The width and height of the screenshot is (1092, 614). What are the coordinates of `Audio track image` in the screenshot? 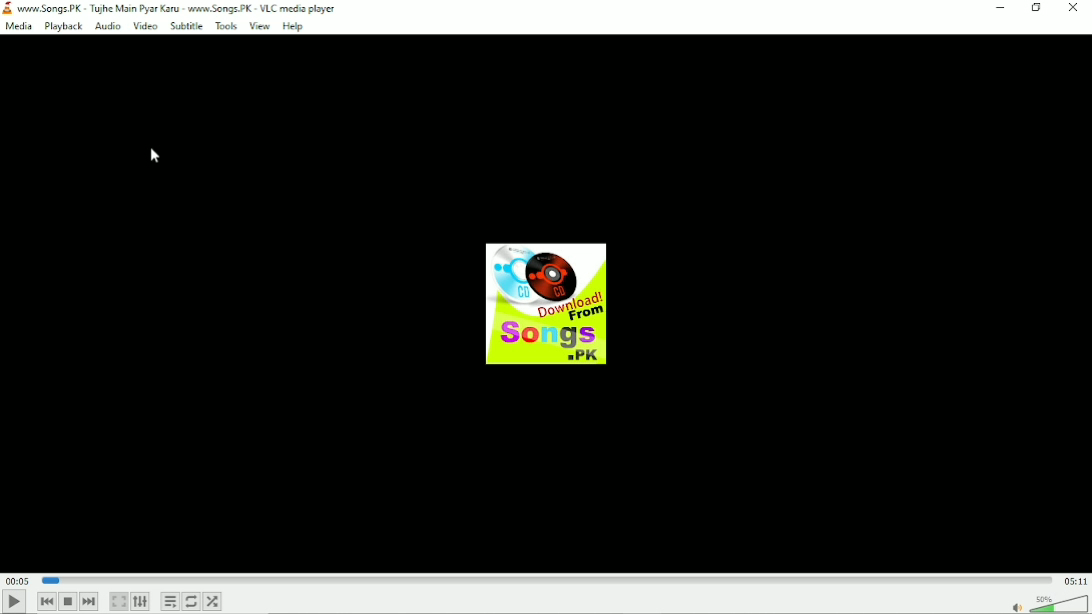 It's located at (545, 304).